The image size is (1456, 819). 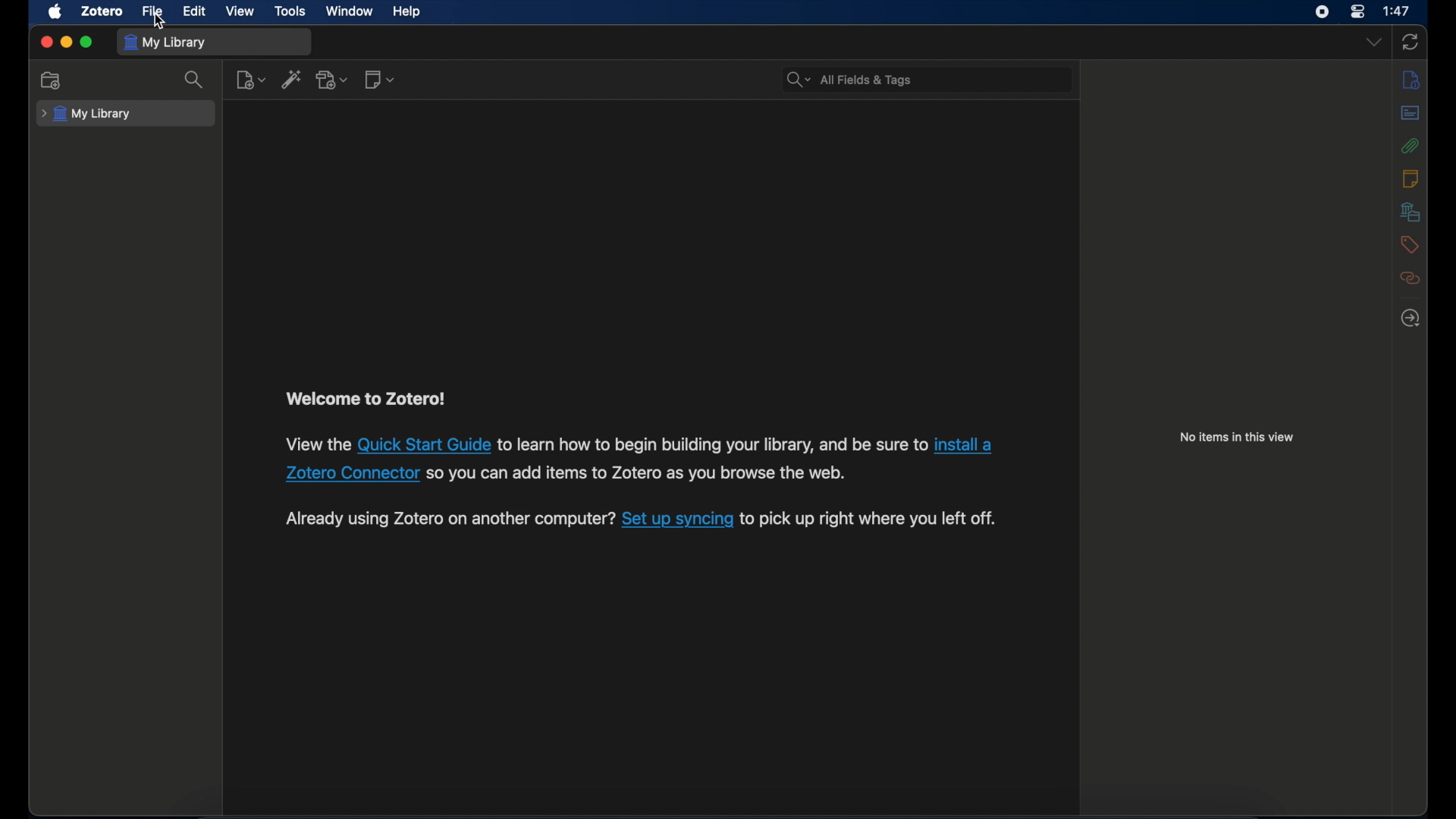 What do you see at coordinates (353, 472) in the screenshot?
I see `` at bounding box center [353, 472].